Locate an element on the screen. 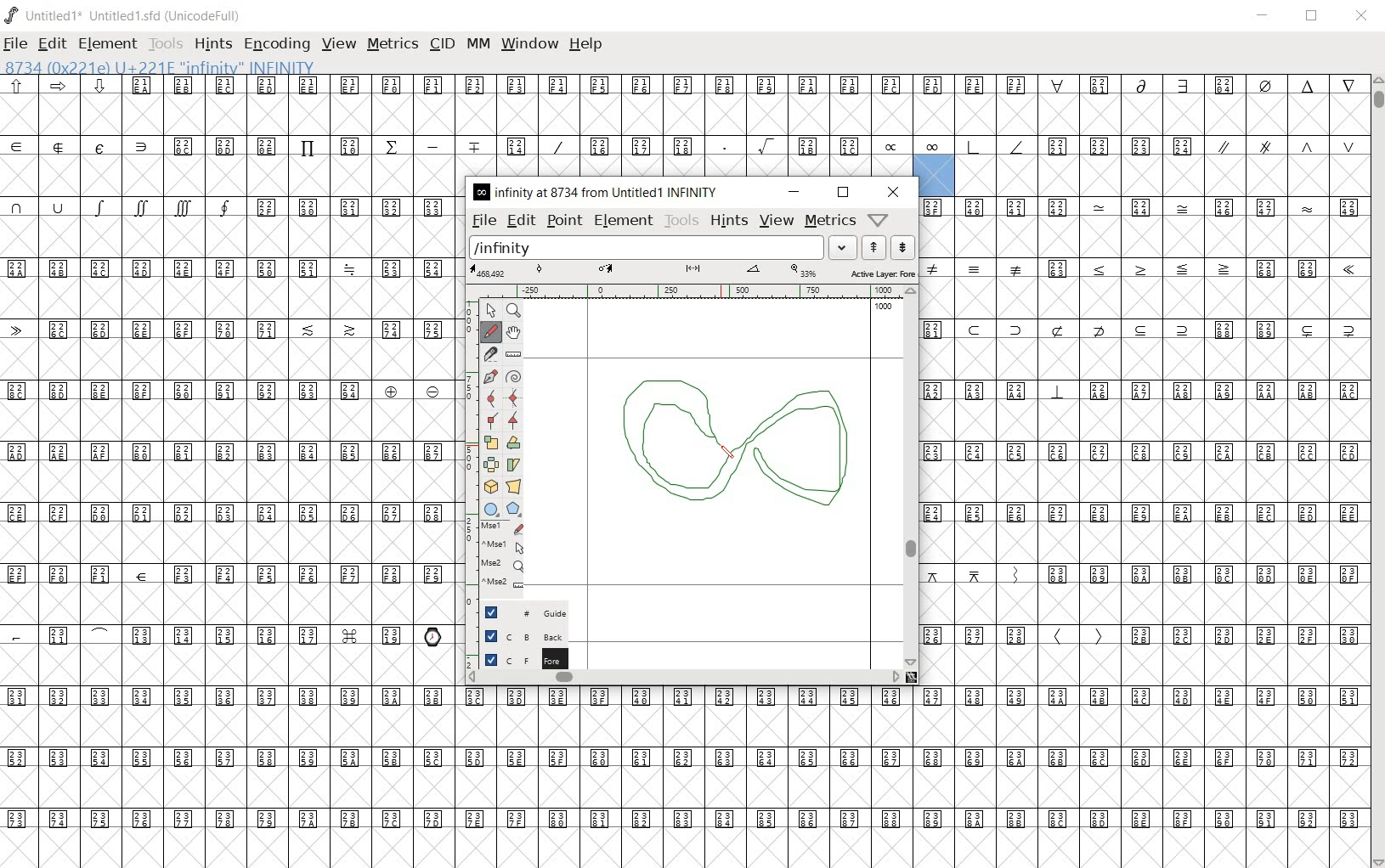  edit is located at coordinates (51, 43).